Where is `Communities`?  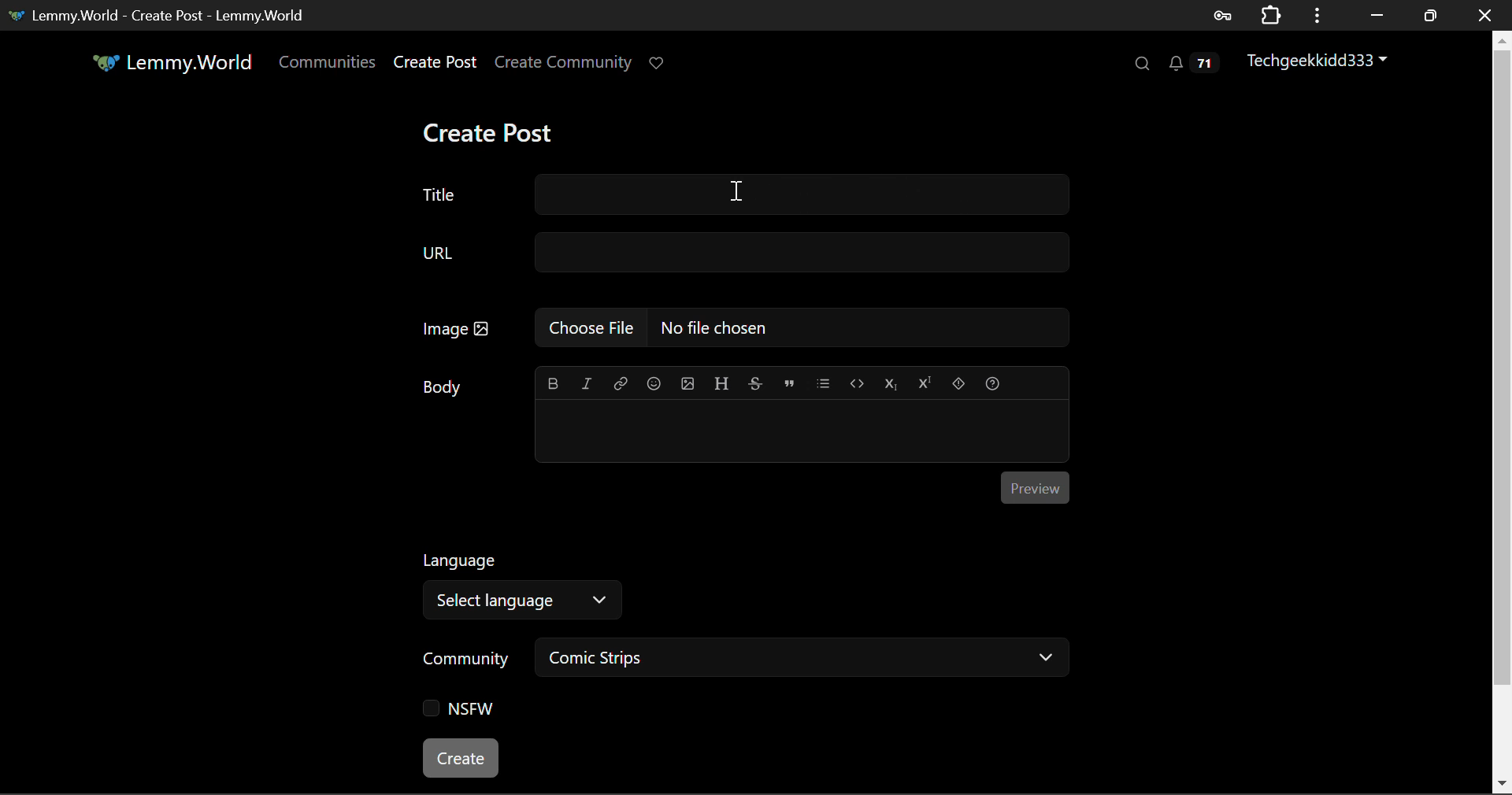
Communities is located at coordinates (329, 65).